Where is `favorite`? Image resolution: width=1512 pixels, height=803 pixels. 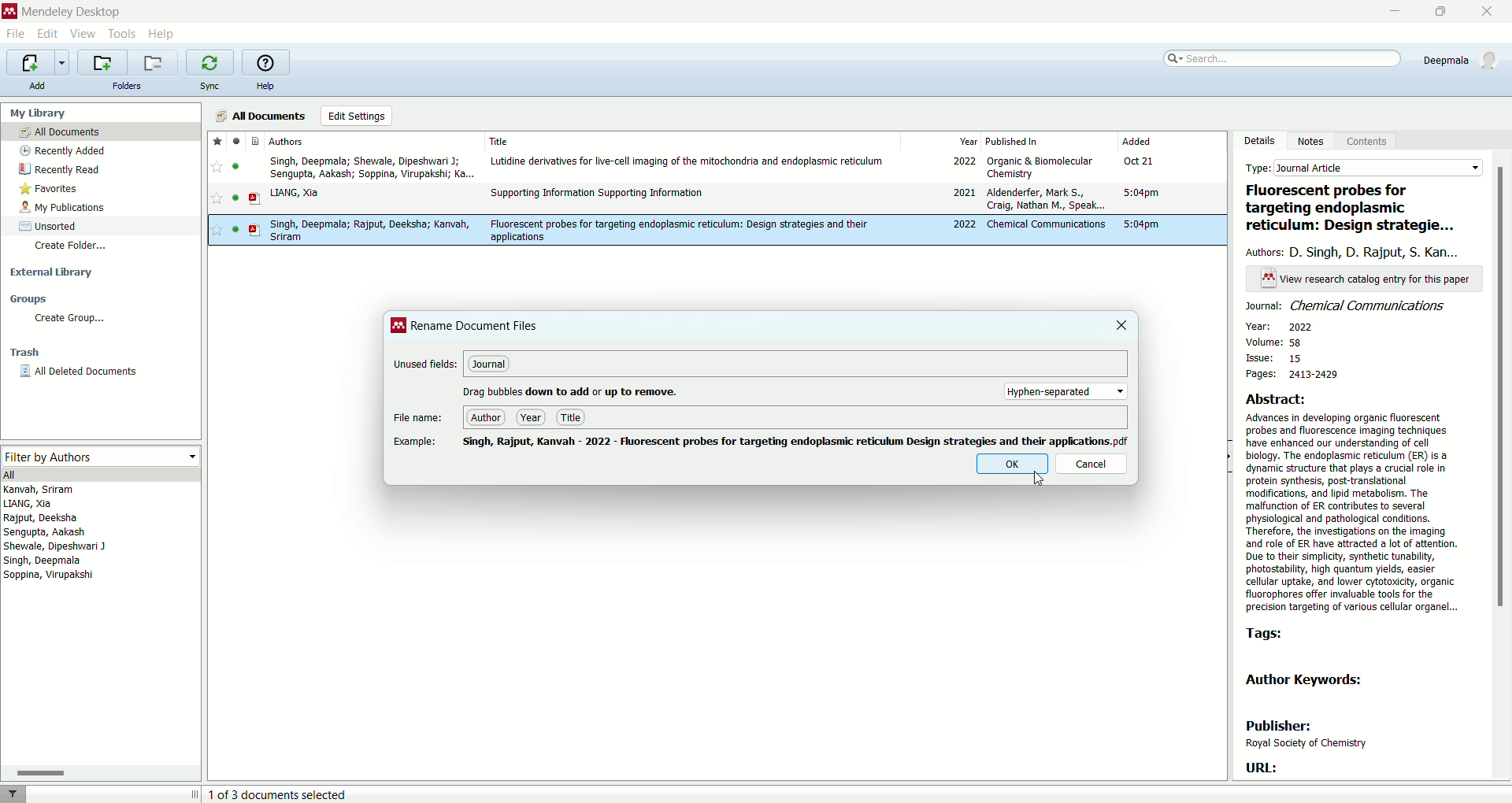
favorite is located at coordinates (217, 168).